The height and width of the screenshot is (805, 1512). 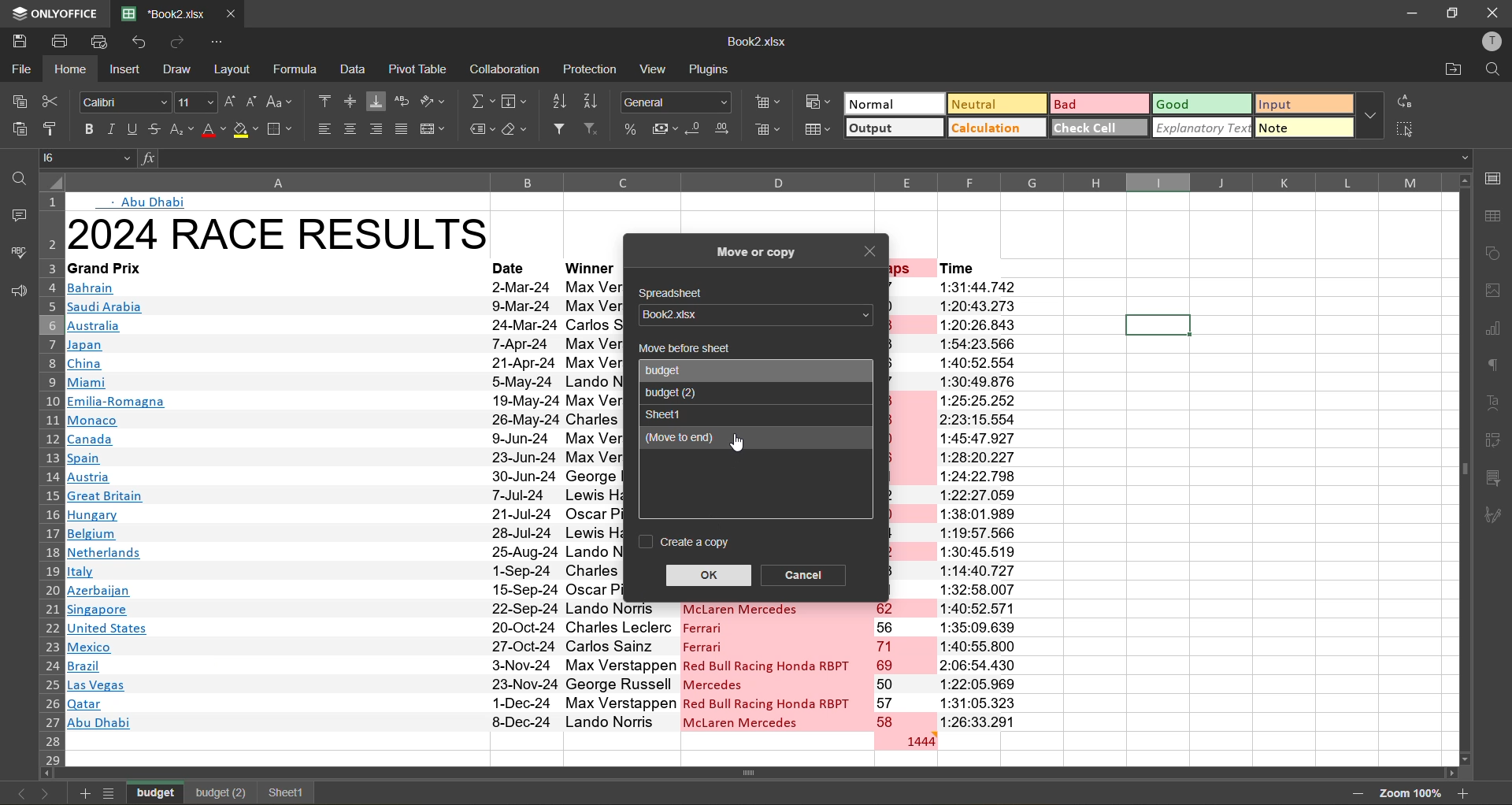 What do you see at coordinates (262, 268) in the screenshot?
I see `grand prix` at bounding box center [262, 268].